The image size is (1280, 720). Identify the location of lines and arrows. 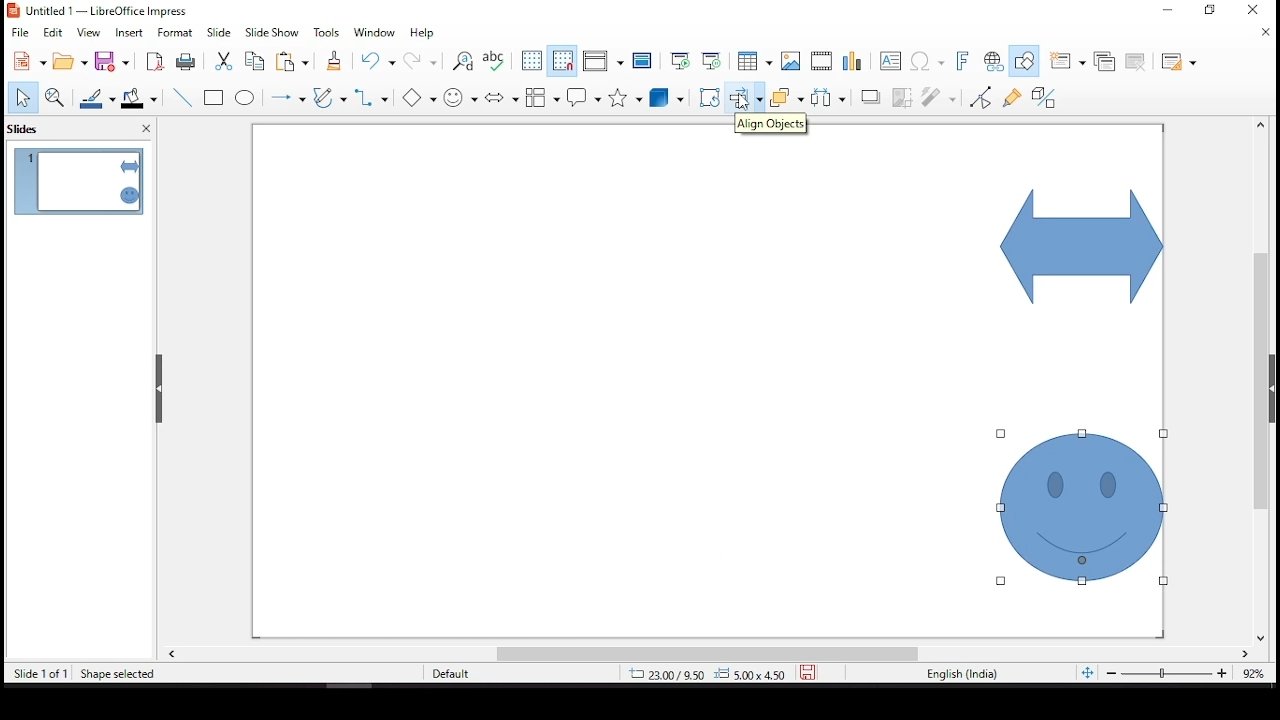
(291, 97).